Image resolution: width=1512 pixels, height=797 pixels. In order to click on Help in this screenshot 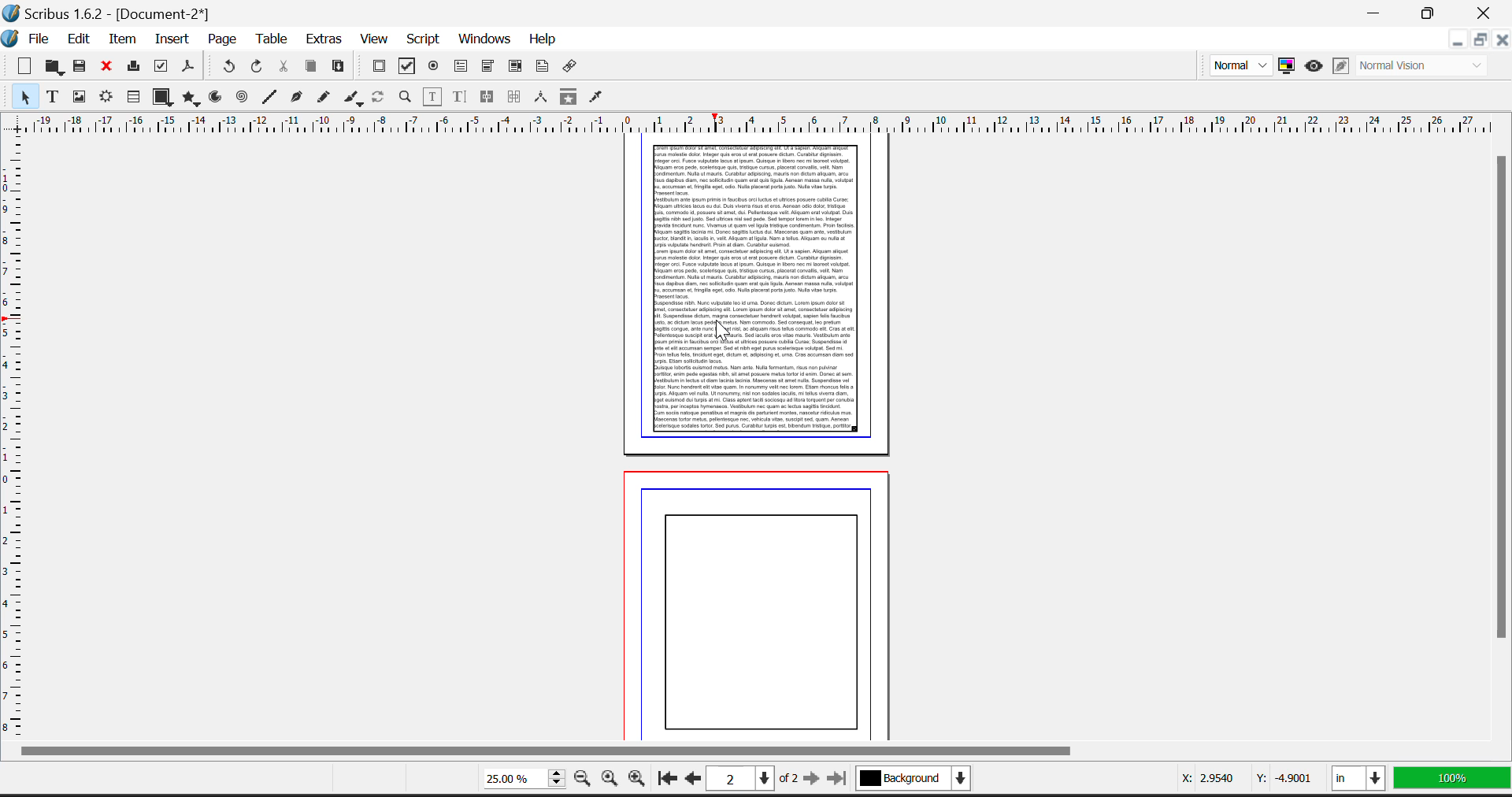, I will do `click(542, 39)`.